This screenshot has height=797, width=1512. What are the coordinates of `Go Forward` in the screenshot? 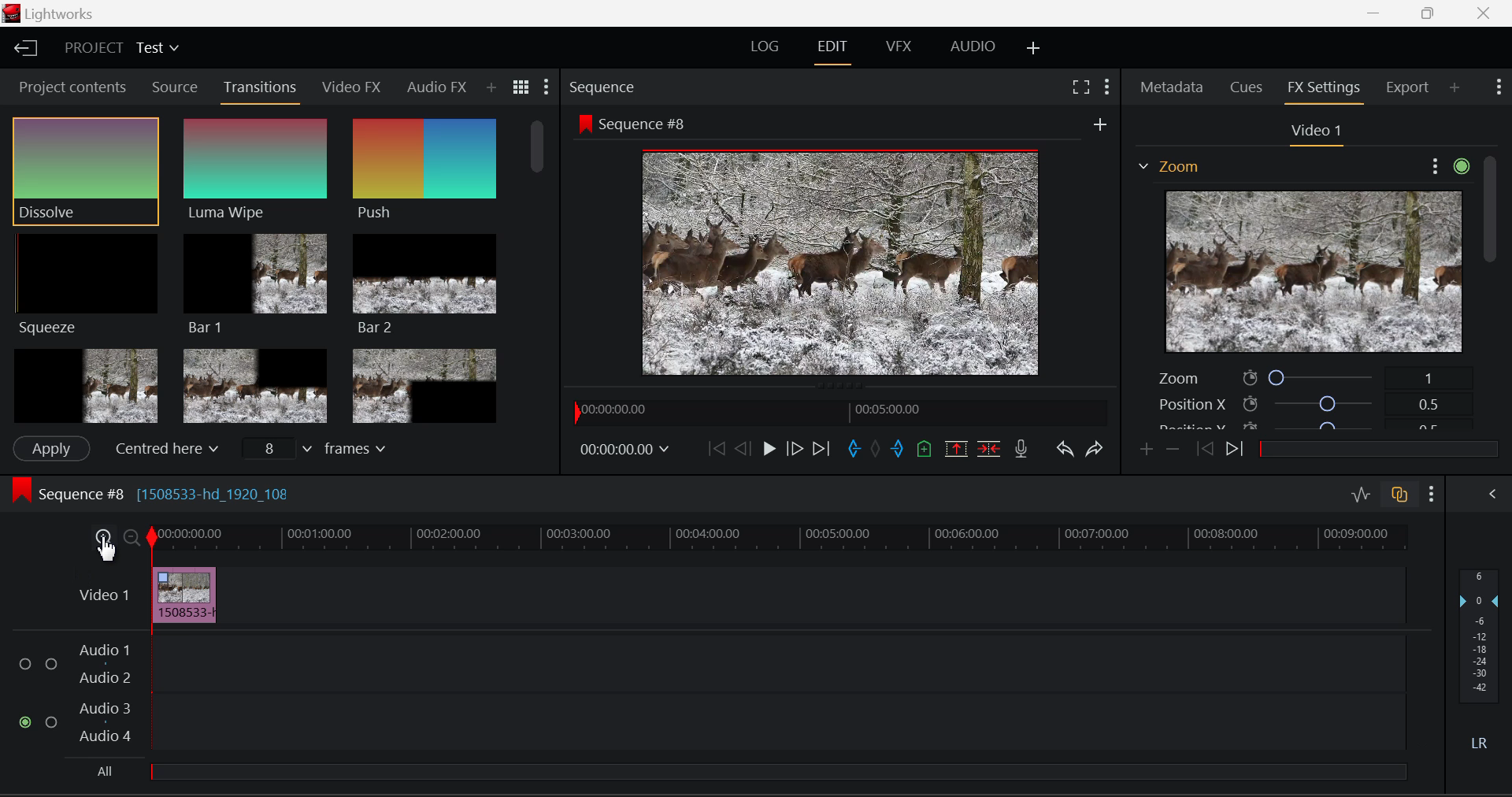 It's located at (798, 451).